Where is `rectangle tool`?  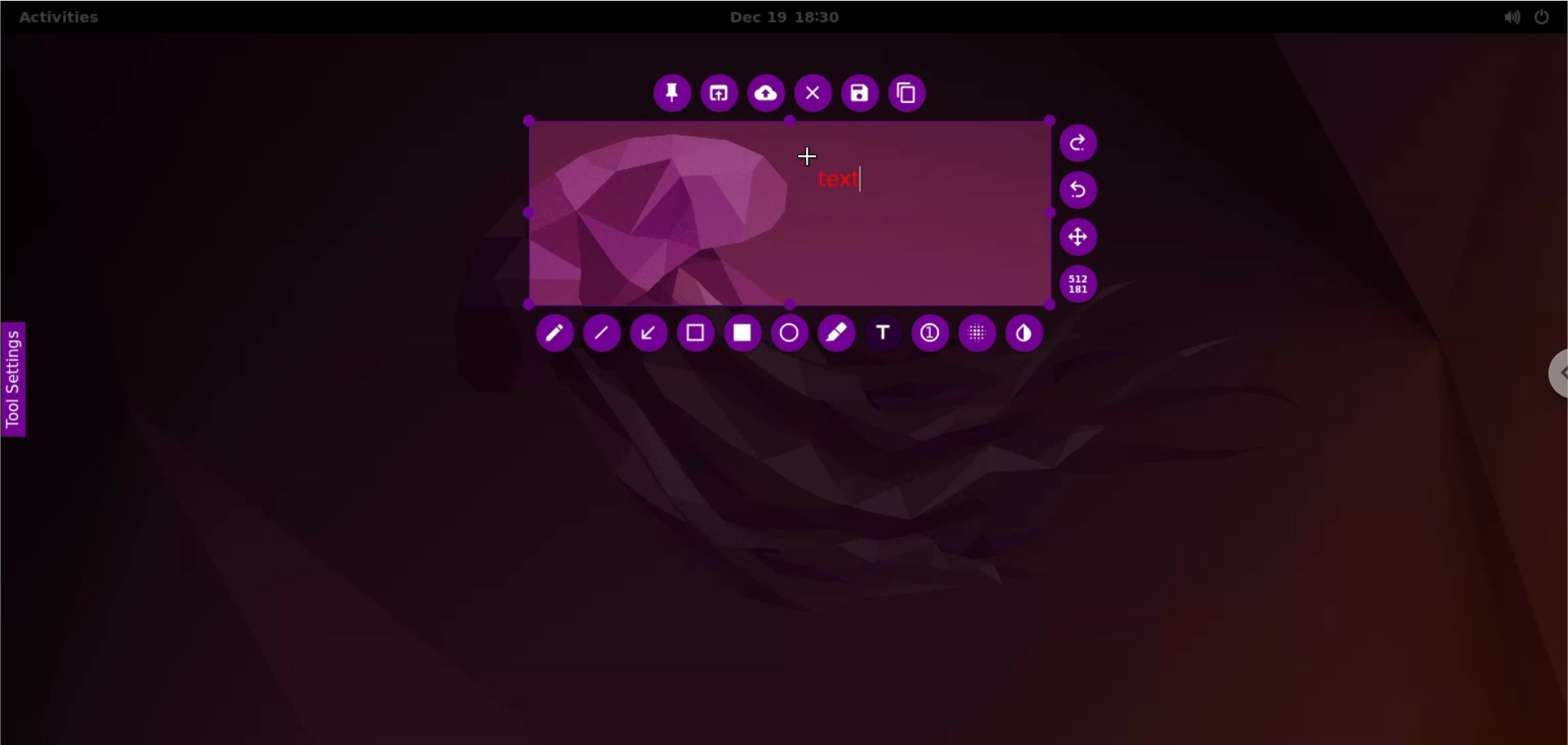 rectangle tool is located at coordinates (748, 332).